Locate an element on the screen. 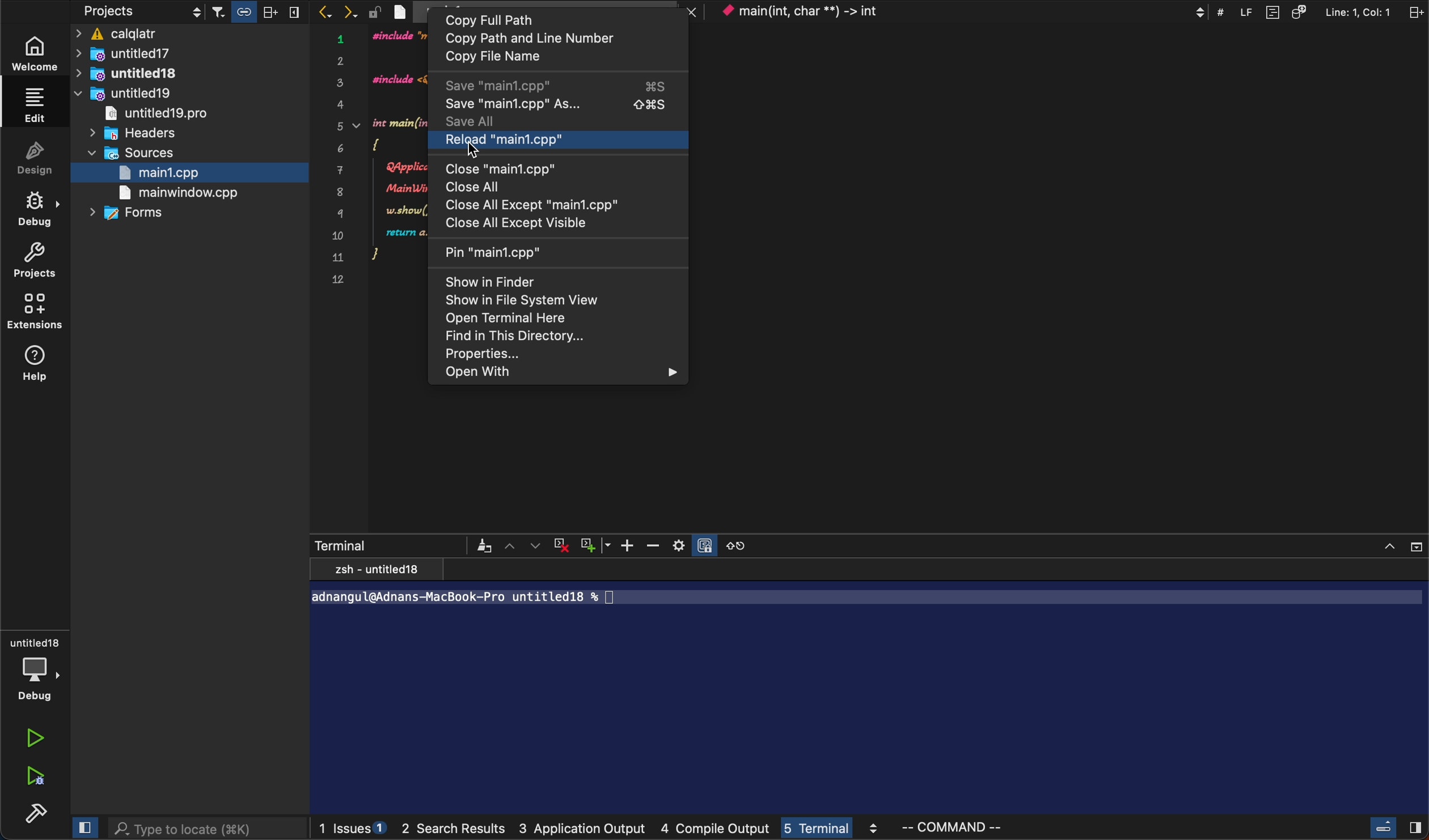 The height and width of the screenshot is (840, 1429). main window is located at coordinates (181, 194).